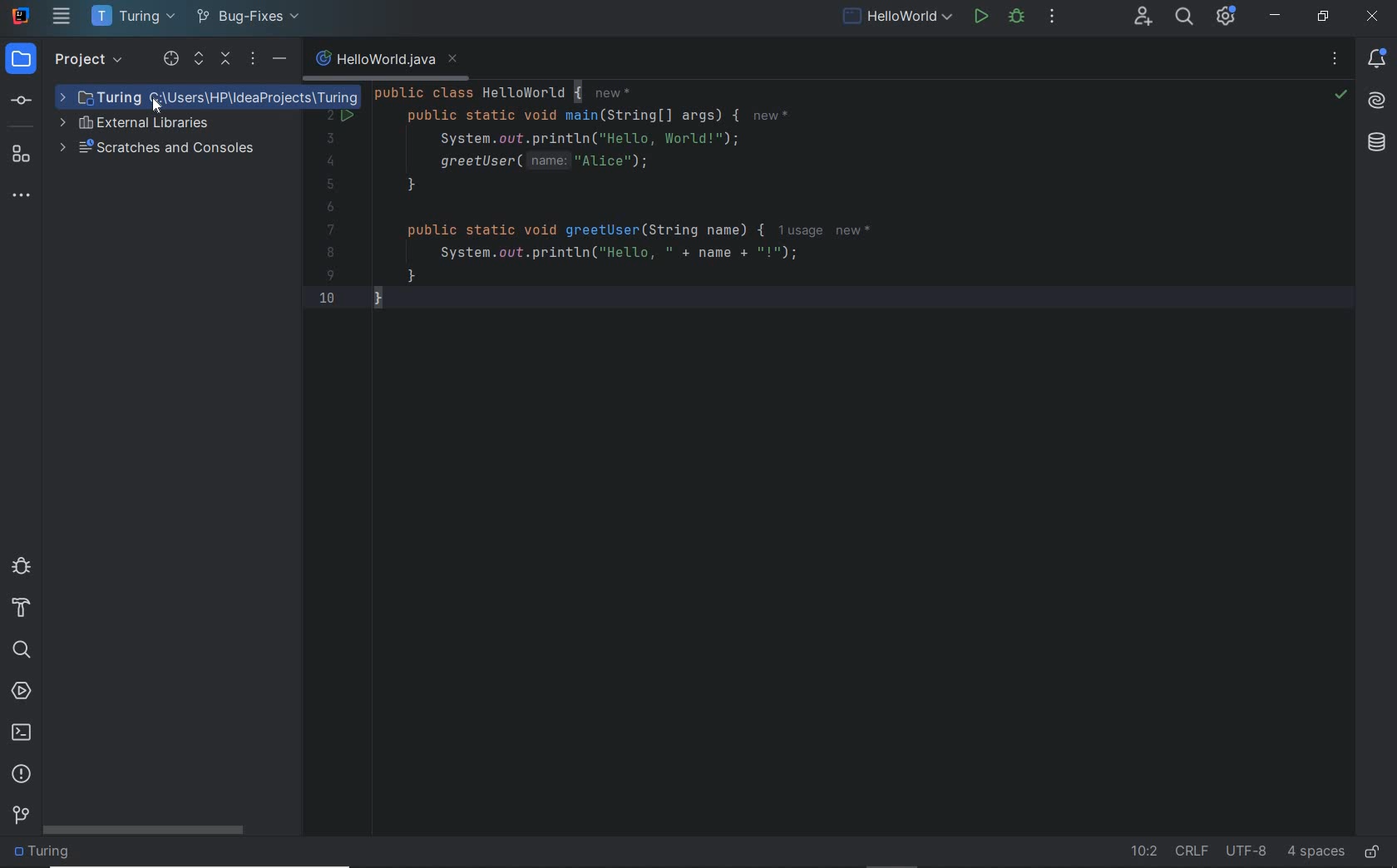 The width and height of the screenshot is (1397, 868). Describe the element at coordinates (327, 297) in the screenshot. I see `10` at that location.